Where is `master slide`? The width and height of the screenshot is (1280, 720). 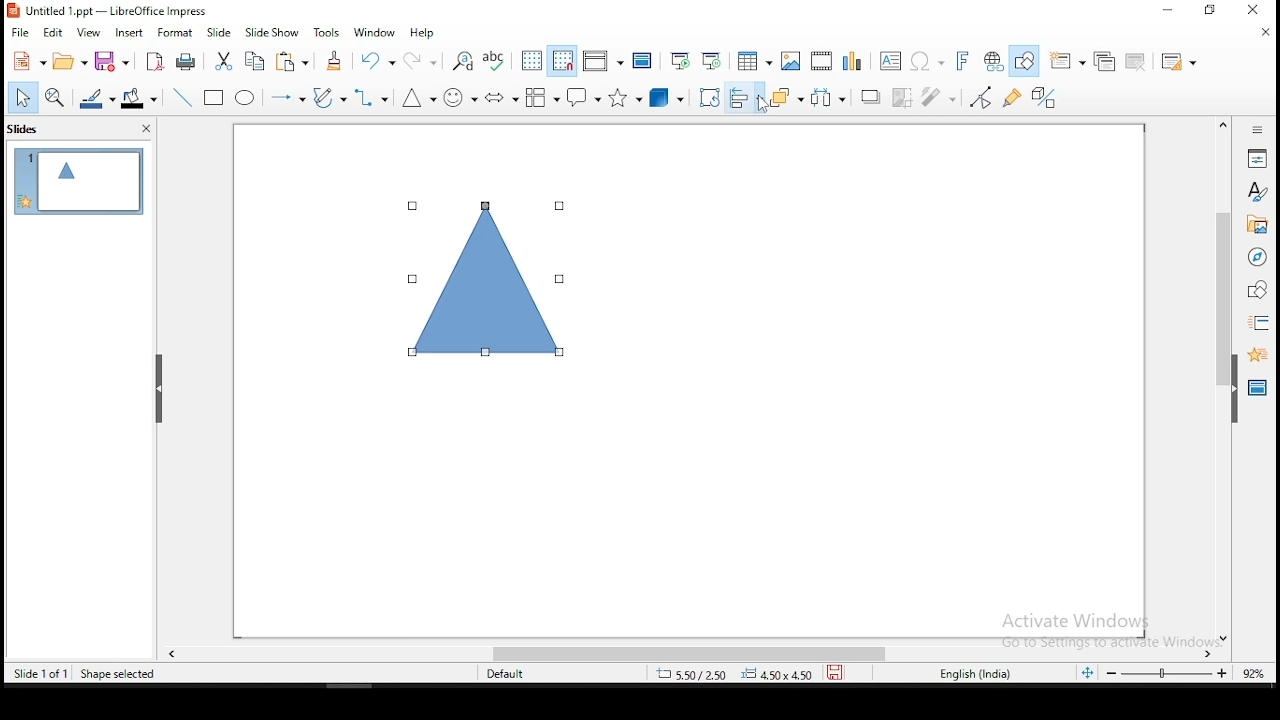
master slide is located at coordinates (643, 61).